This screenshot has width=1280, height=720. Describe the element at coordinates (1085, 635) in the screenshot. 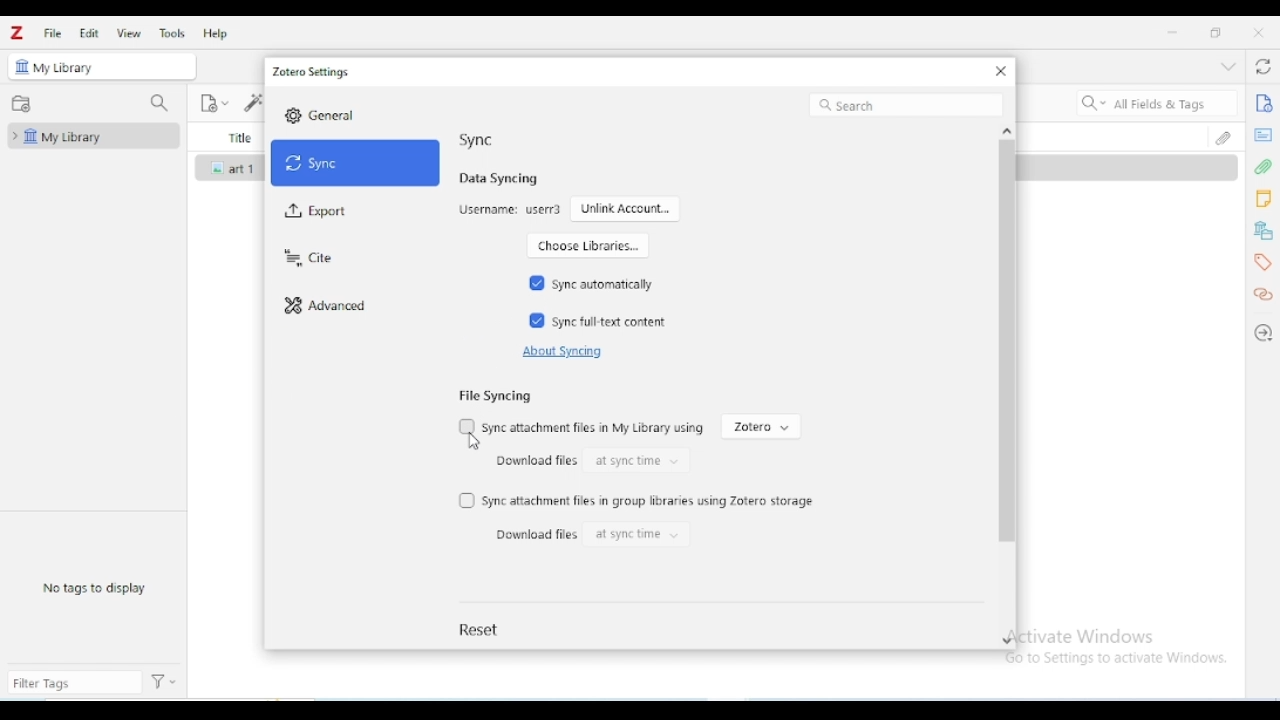

I see `Activate Windows` at that location.